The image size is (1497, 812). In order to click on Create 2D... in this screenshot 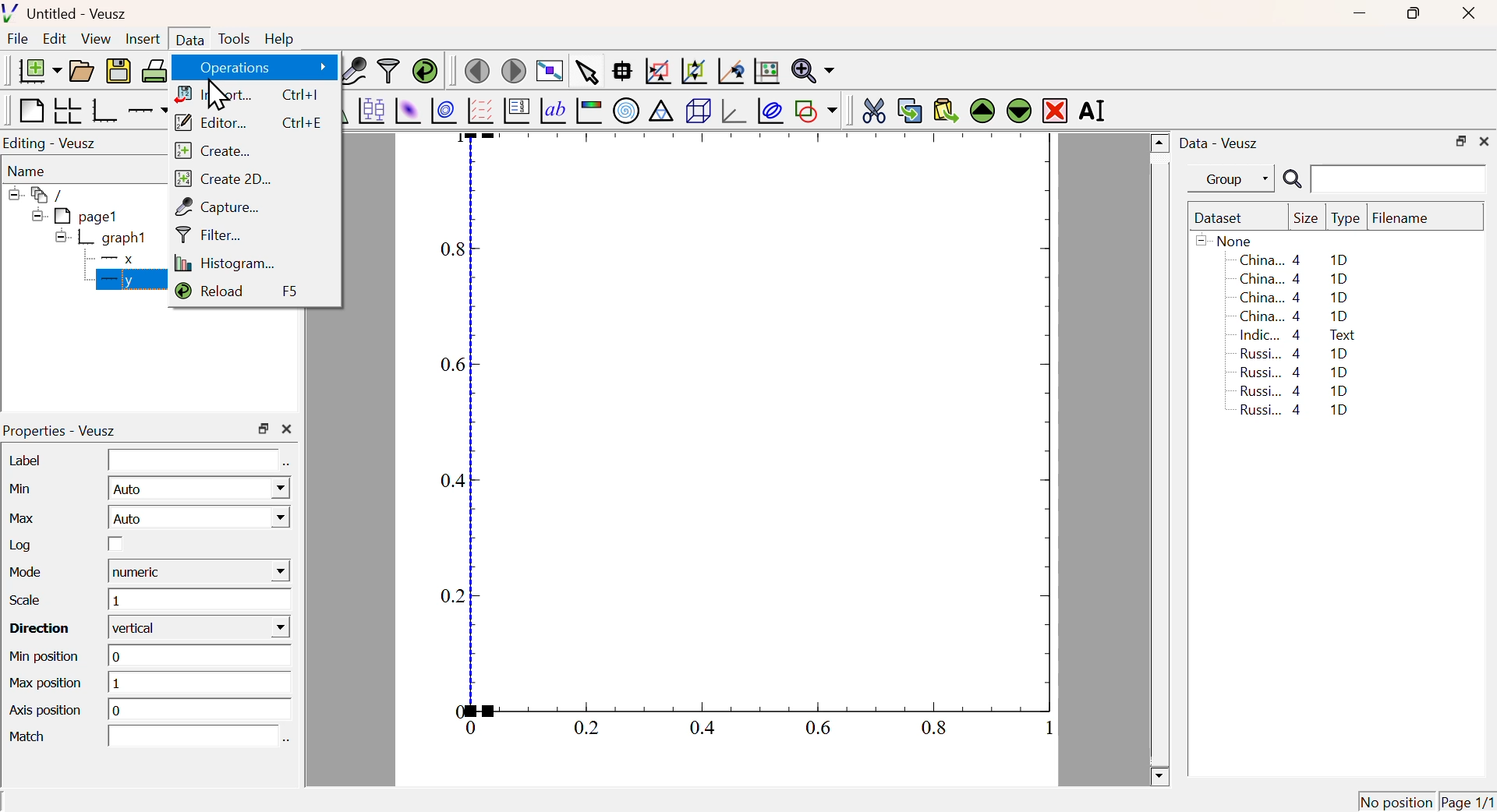, I will do `click(225, 178)`.